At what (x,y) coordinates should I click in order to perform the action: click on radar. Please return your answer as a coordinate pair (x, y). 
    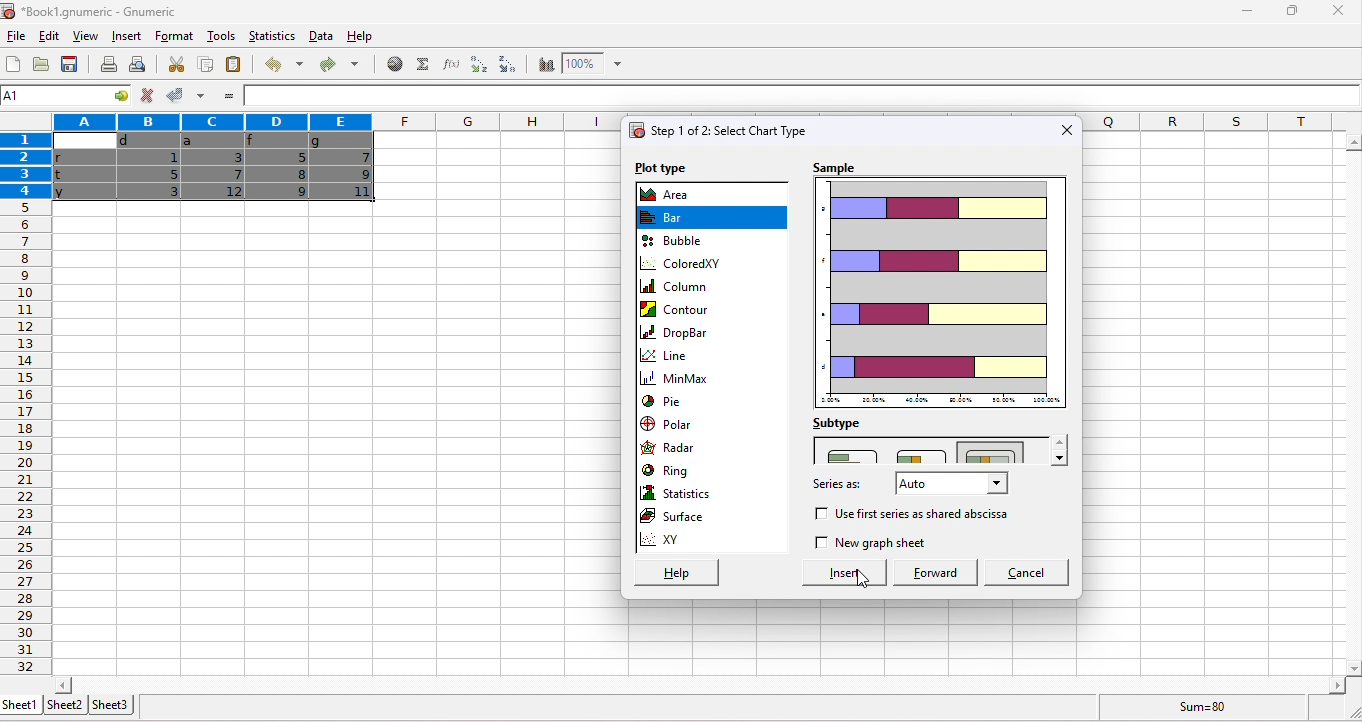
    Looking at the image, I should click on (672, 450).